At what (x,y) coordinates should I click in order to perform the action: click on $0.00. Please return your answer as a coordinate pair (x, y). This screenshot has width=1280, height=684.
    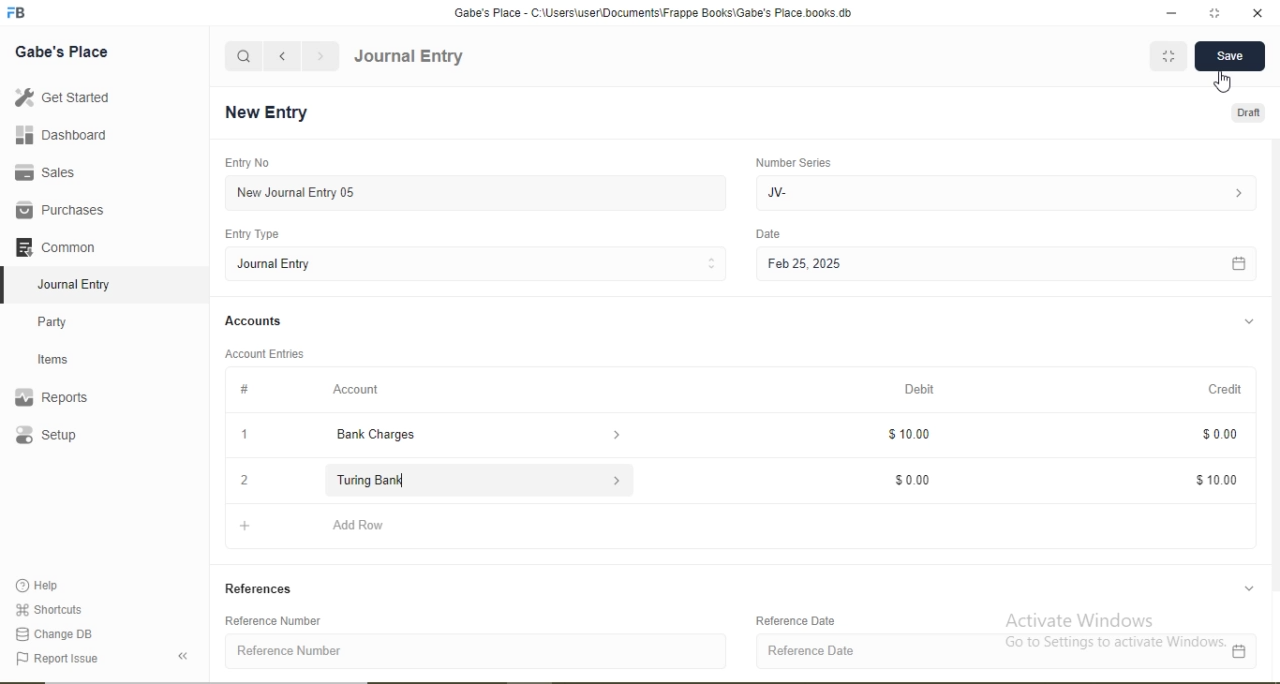
    Looking at the image, I should click on (911, 482).